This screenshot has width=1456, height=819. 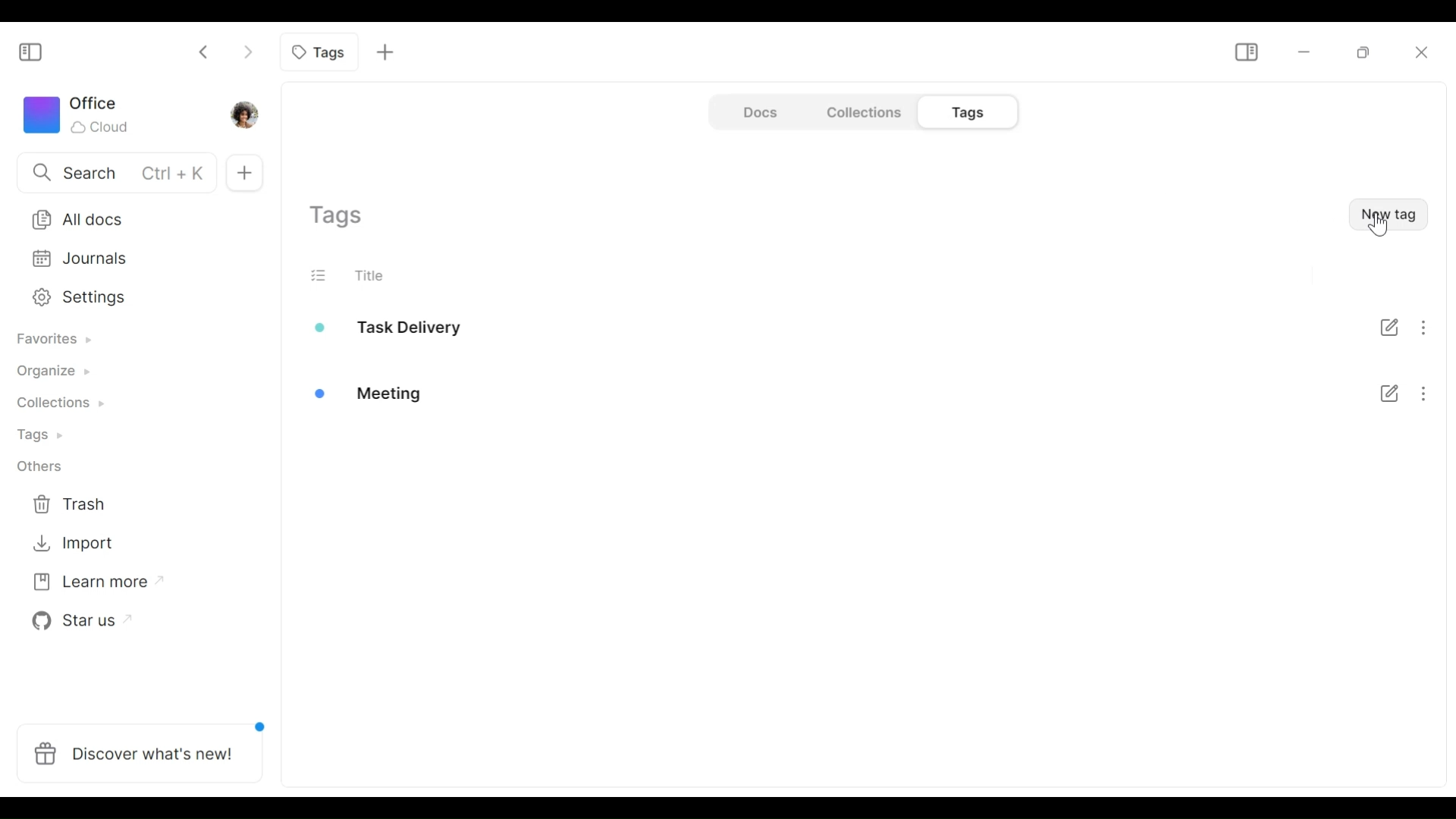 What do you see at coordinates (409, 330) in the screenshot?
I see `Task delivery` at bounding box center [409, 330].